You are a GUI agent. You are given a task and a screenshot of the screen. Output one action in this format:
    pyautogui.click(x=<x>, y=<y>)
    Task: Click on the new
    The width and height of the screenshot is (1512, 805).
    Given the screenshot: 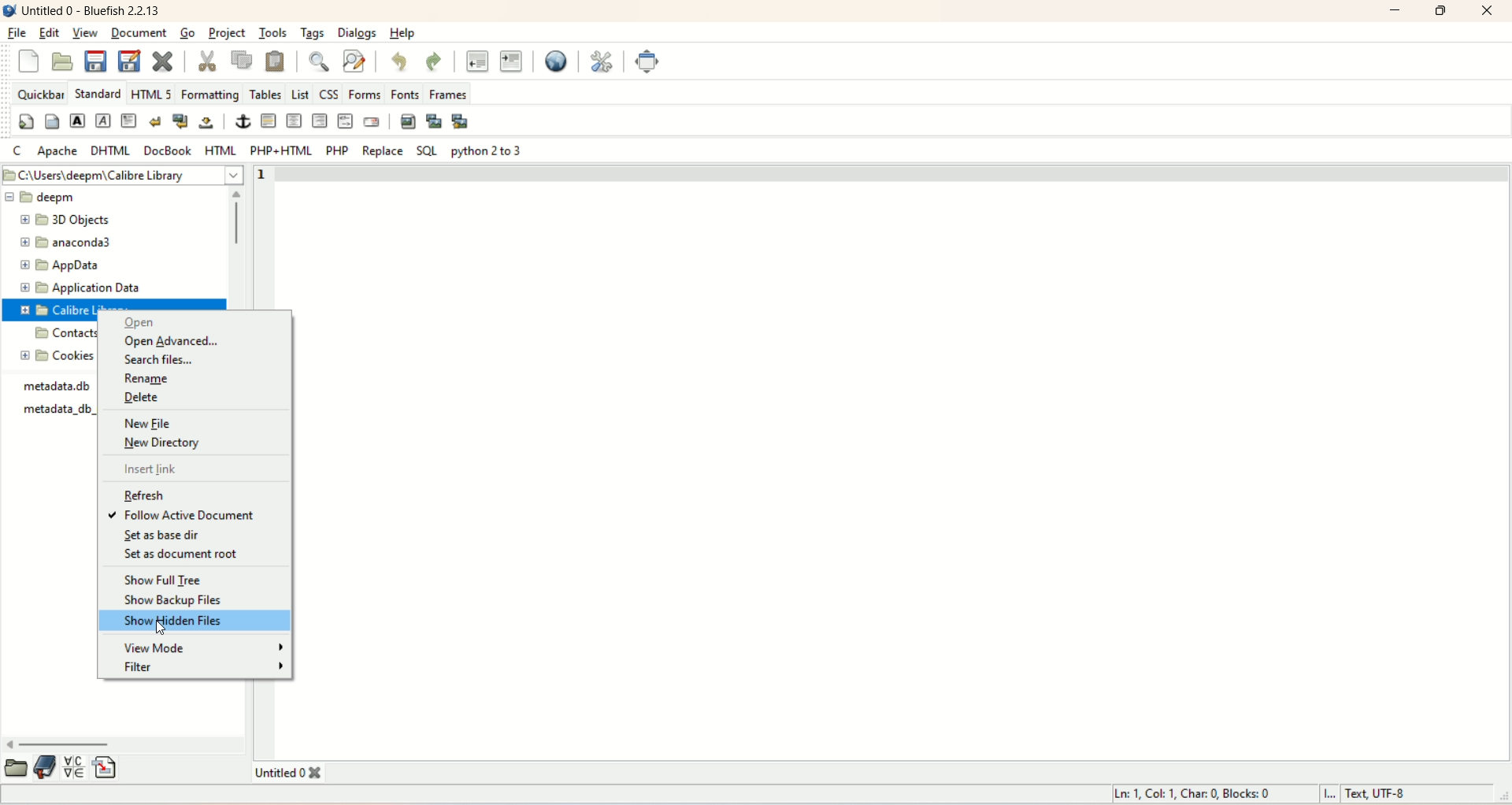 What is the action you would take?
    pyautogui.click(x=29, y=63)
    